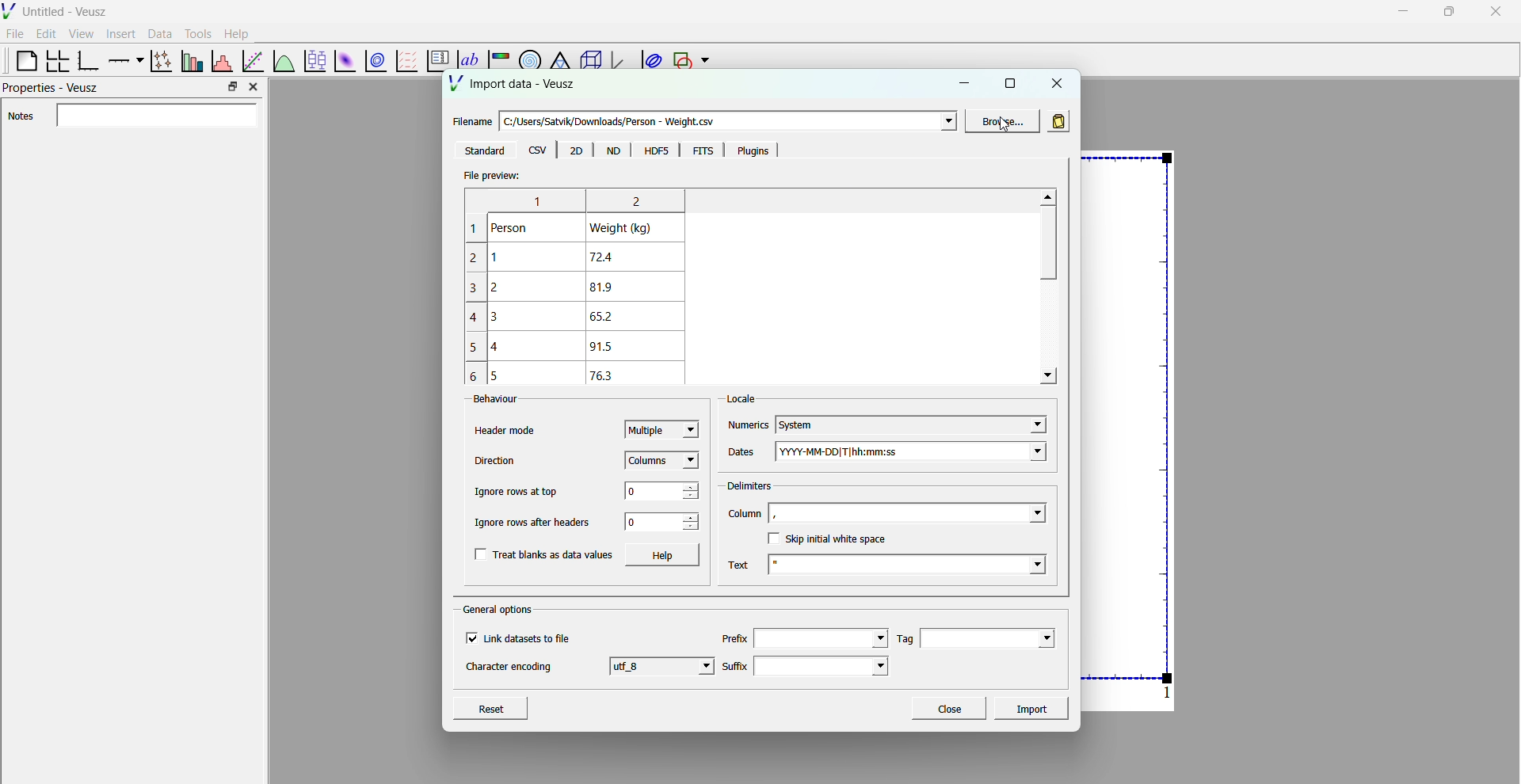 This screenshot has width=1521, height=784. I want to click on close, so click(1058, 82).